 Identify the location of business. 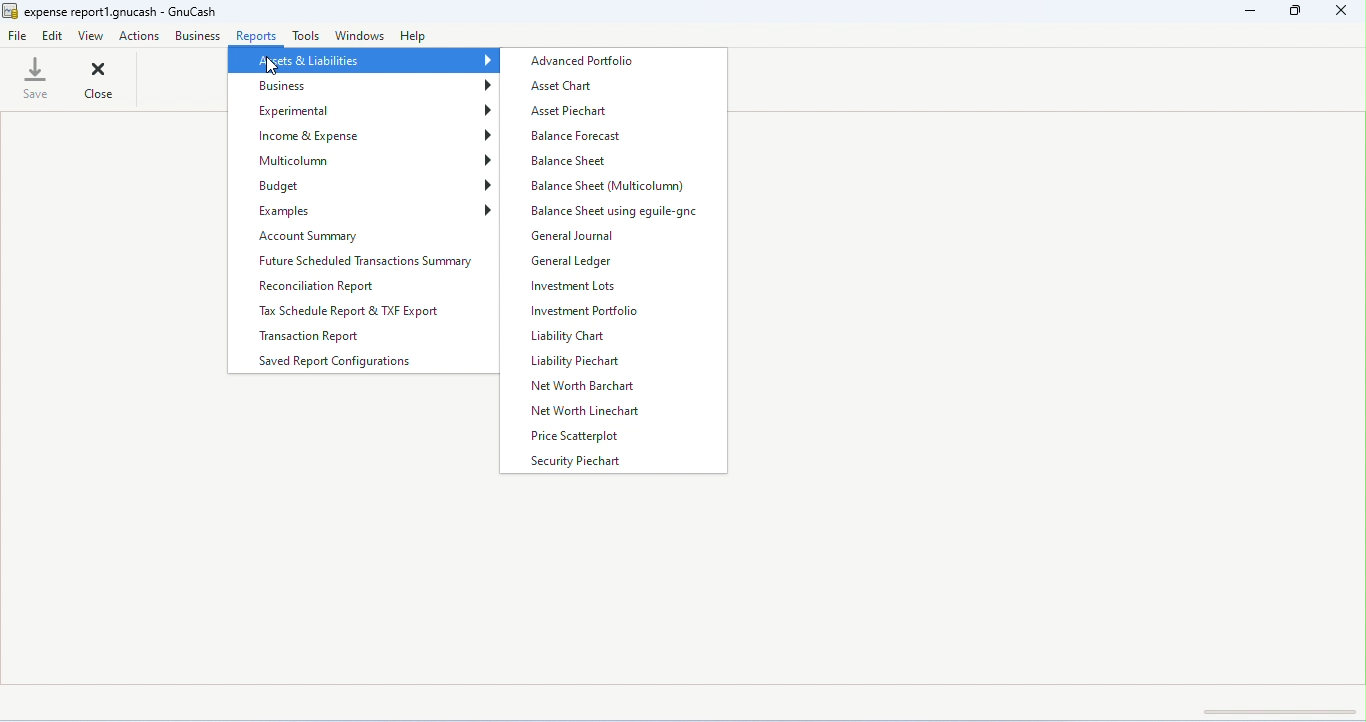
(197, 35).